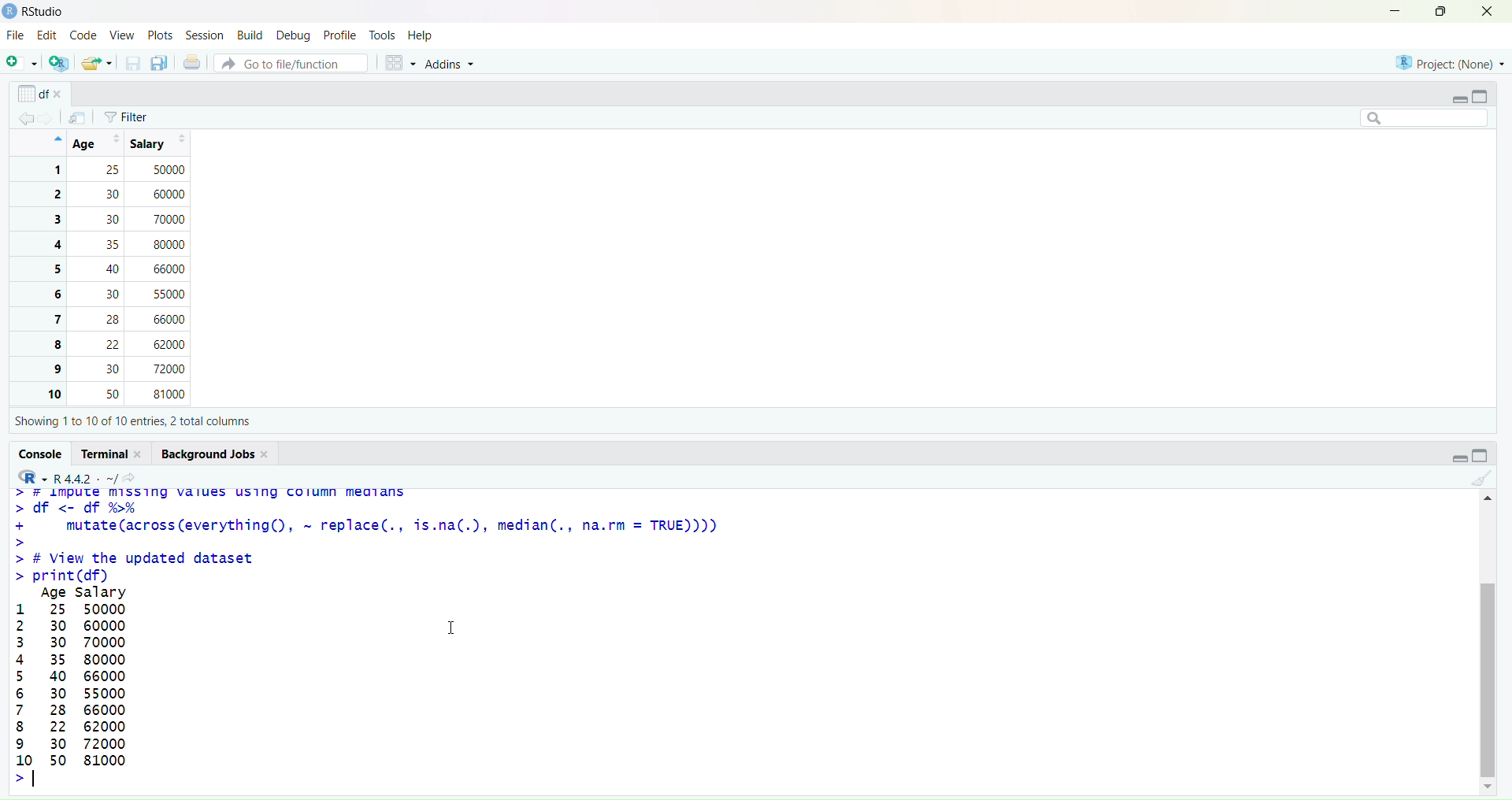 The image size is (1512, 800). Describe the element at coordinates (291, 36) in the screenshot. I see `debug` at that location.